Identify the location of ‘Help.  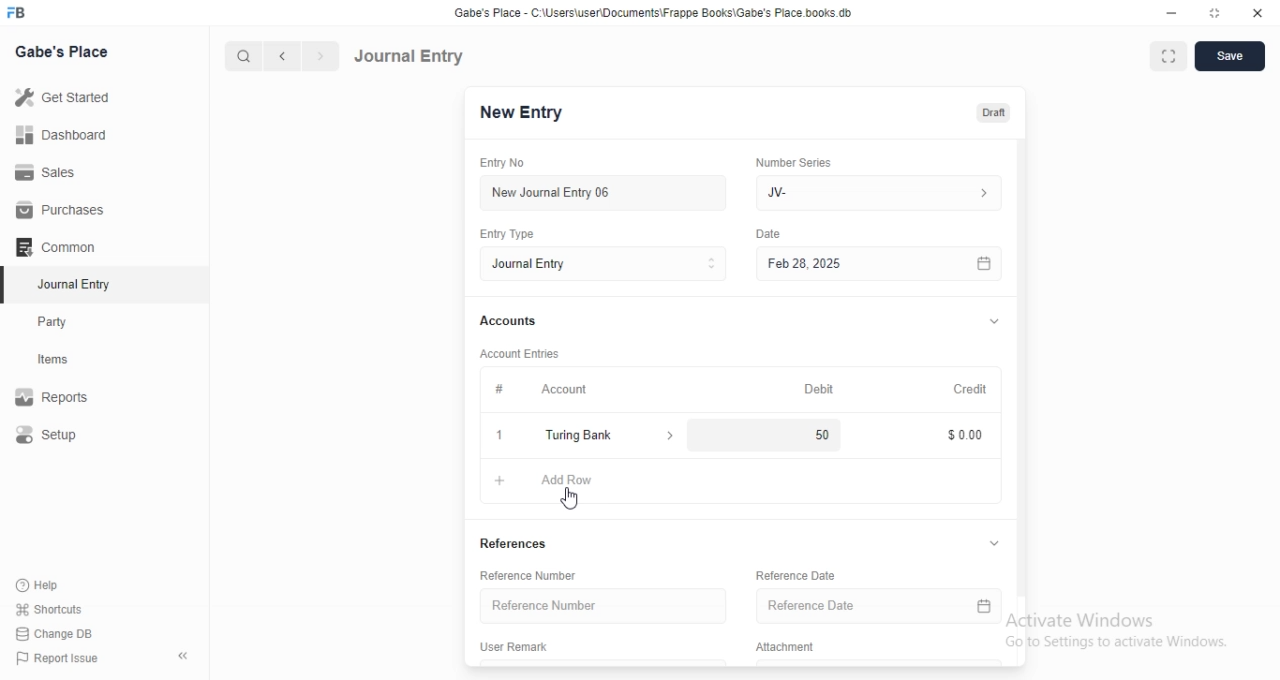
(61, 585).